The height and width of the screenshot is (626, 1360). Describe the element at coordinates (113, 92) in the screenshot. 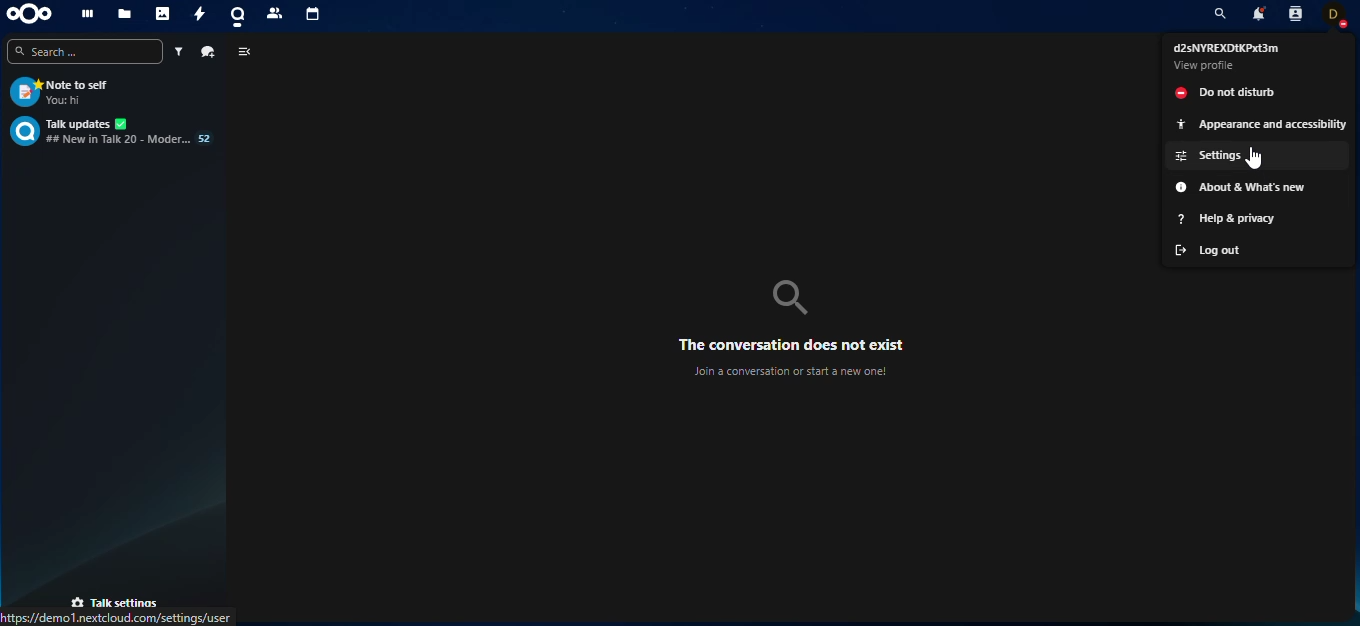

I see `Note to self You: hi` at that location.